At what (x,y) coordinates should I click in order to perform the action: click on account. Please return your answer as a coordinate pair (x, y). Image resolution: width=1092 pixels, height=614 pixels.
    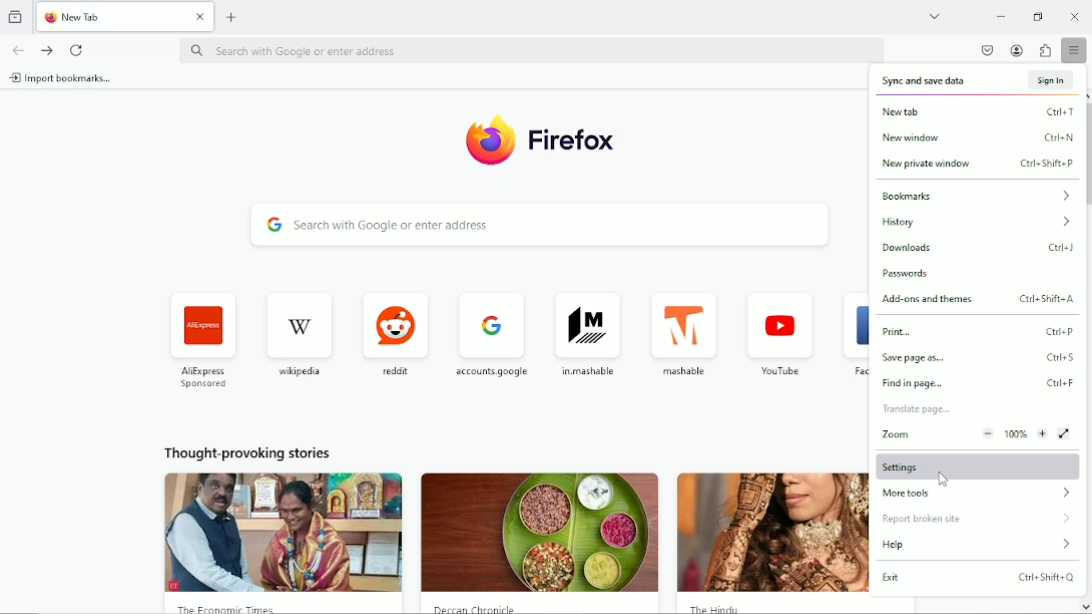
    Looking at the image, I should click on (1017, 51).